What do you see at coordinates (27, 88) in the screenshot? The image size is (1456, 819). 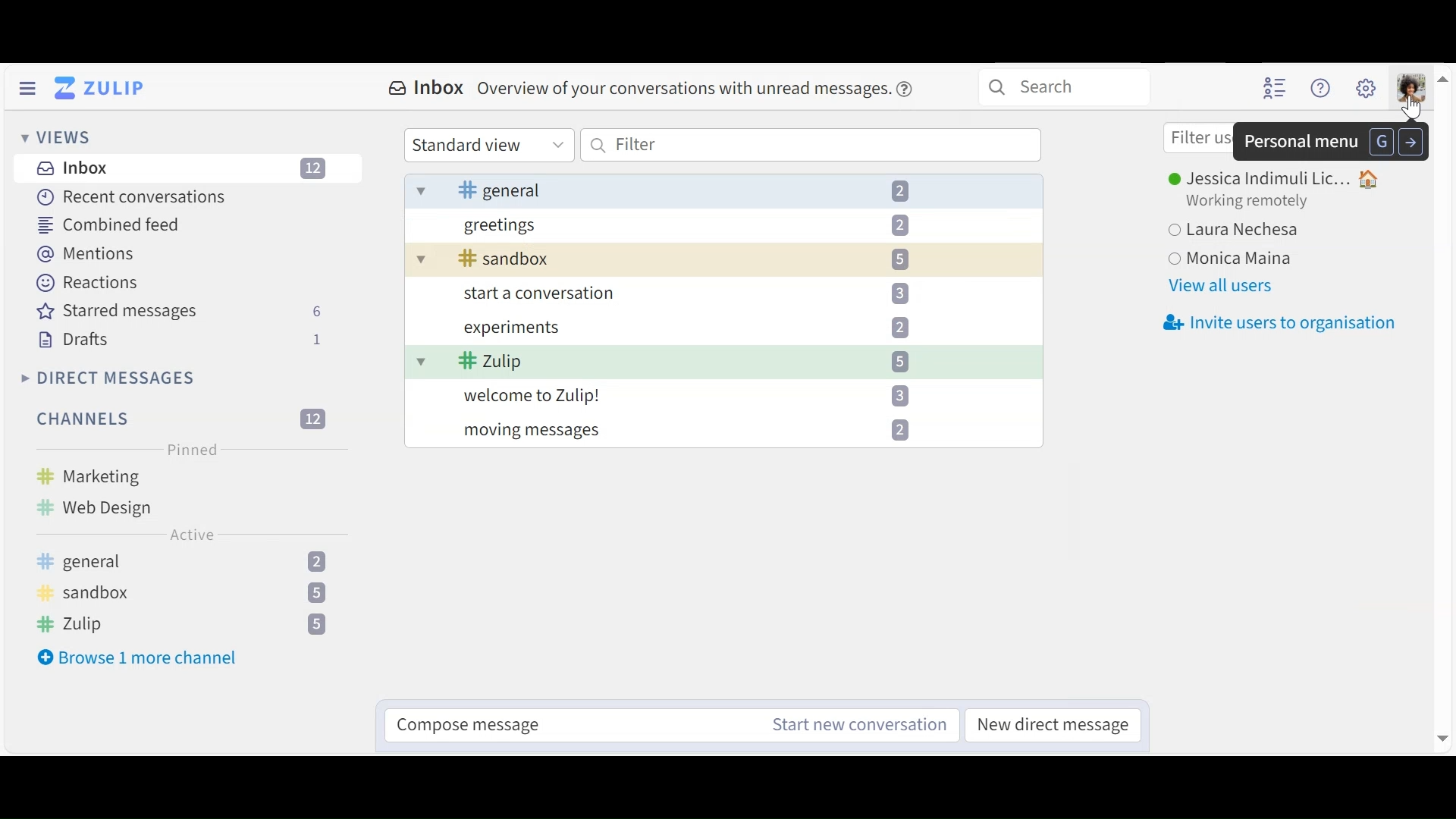 I see `Hide Side Pane` at bounding box center [27, 88].